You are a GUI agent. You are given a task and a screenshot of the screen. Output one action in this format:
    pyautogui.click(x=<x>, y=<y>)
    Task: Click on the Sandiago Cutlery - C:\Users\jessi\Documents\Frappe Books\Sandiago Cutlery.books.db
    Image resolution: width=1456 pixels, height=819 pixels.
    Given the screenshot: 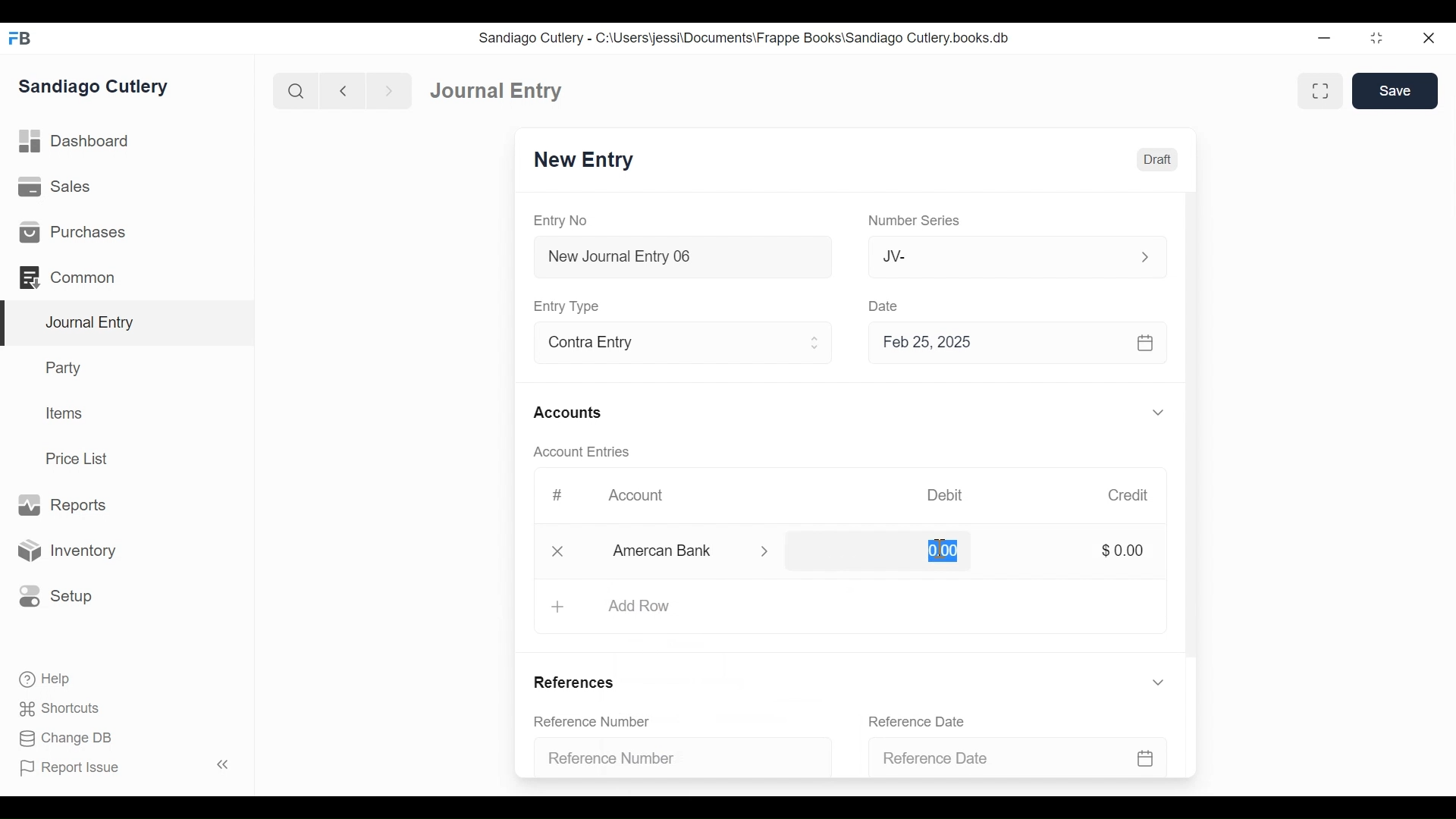 What is the action you would take?
    pyautogui.click(x=745, y=38)
    